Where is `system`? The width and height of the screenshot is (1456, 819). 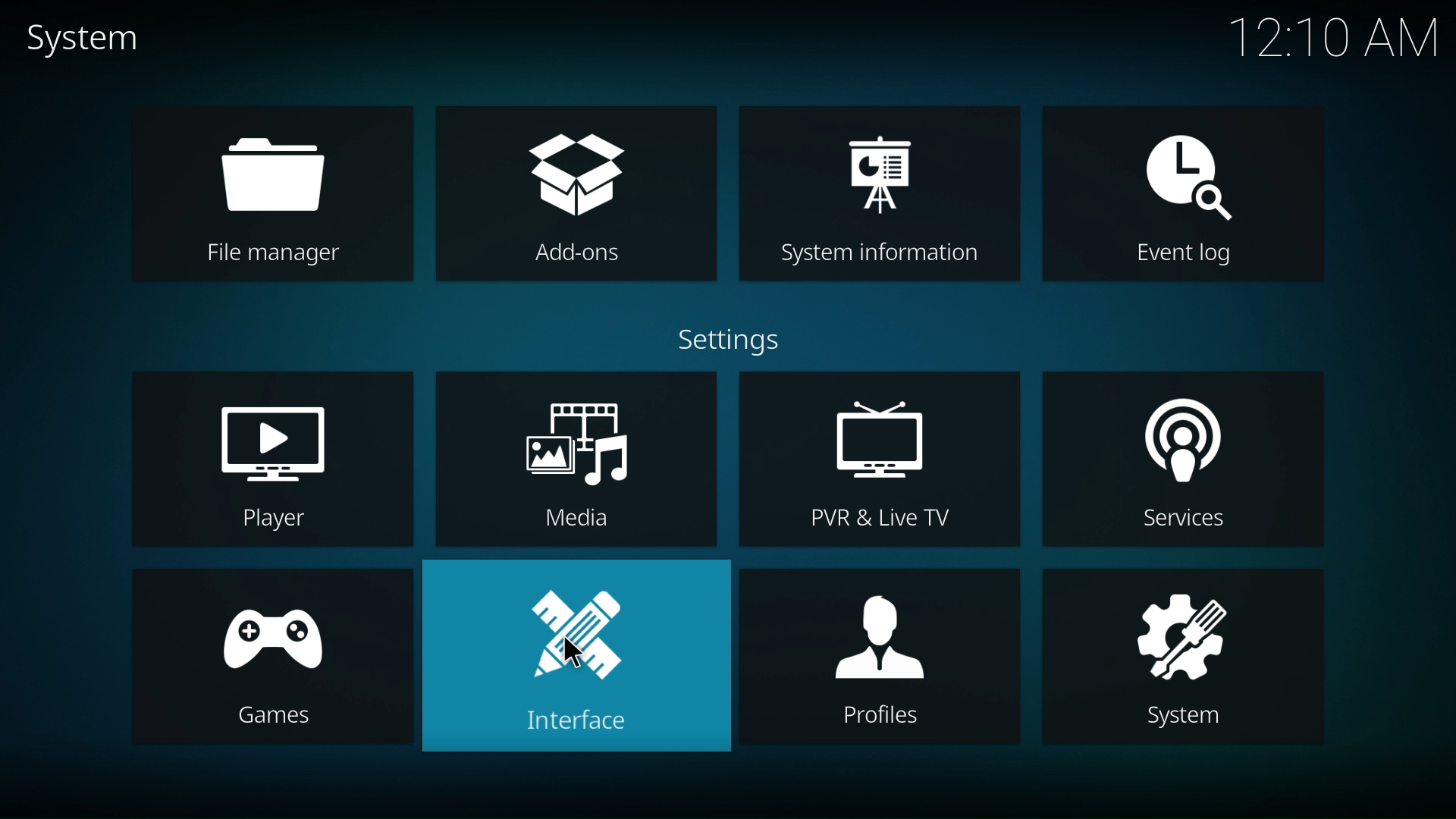 system is located at coordinates (96, 45).